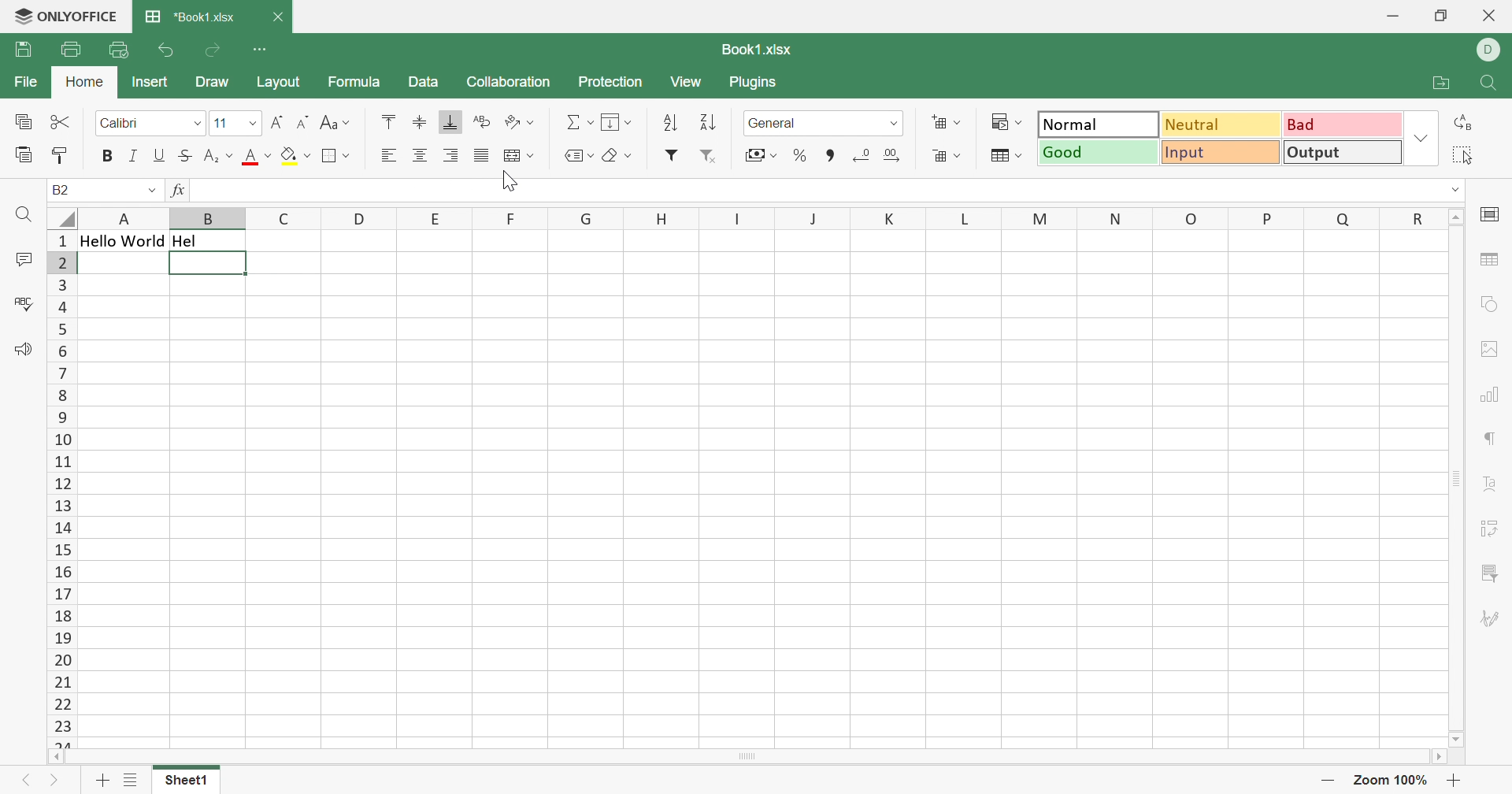 This screenshot has height=794, width=1512. What do you see at coordinates (61, 158) in the screenshot?
I see `Copy style` at bounding box center [61, 158].